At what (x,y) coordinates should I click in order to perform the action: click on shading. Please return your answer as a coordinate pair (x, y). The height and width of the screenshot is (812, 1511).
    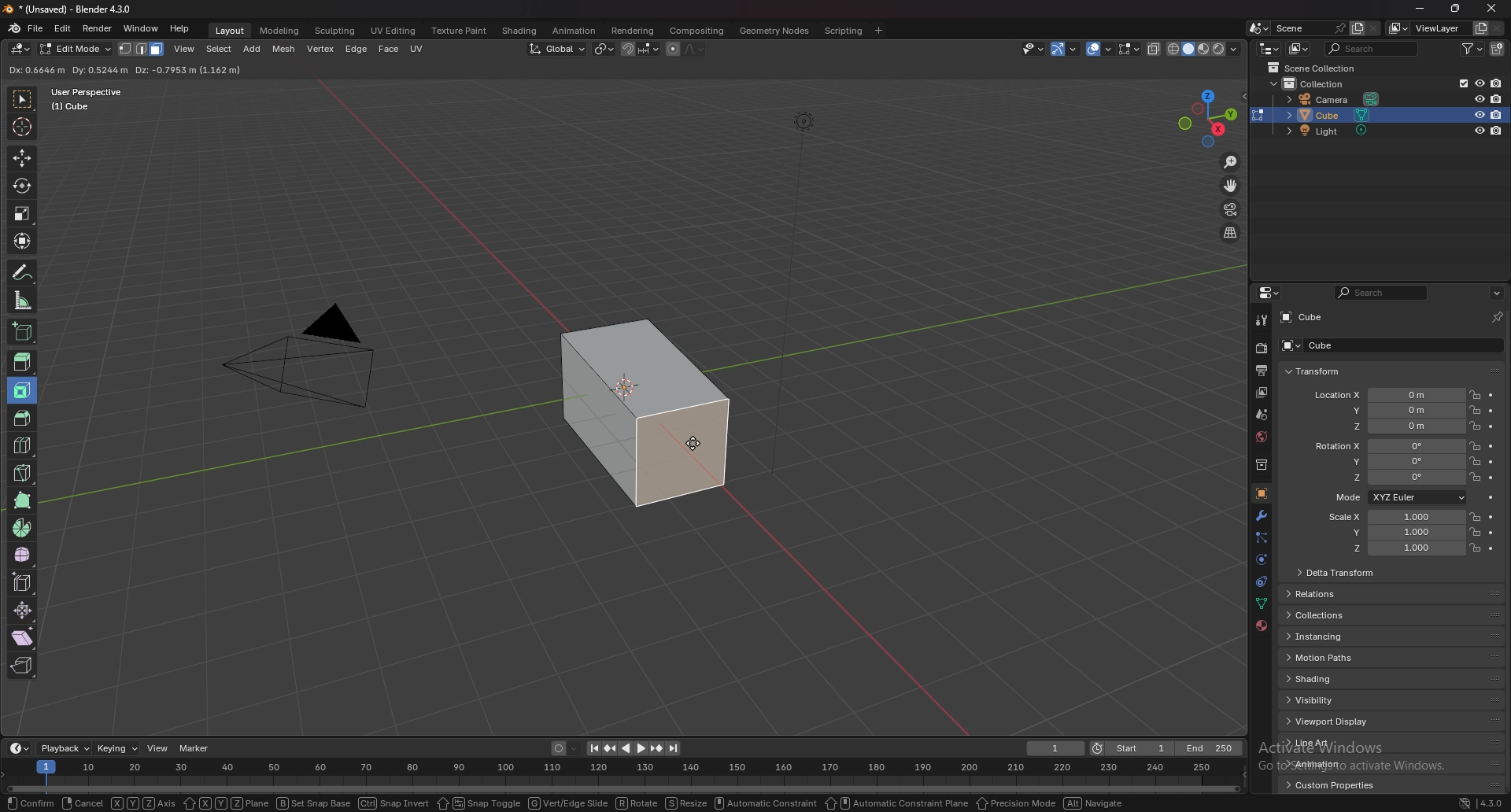
    Looking at the image, I should click on (1329, 679).